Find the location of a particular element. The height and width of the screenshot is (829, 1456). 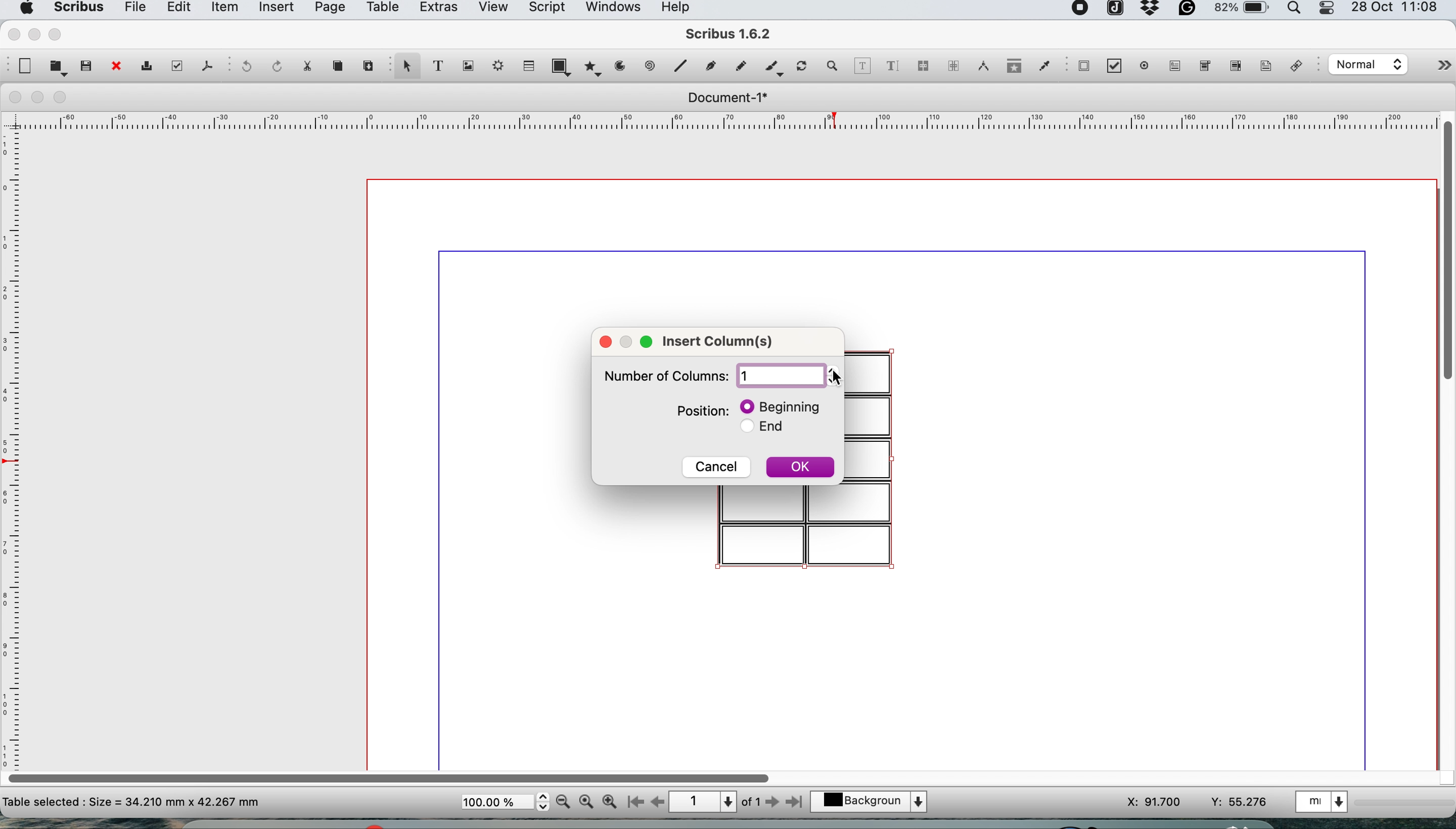

maximise is located at coordinates (64, 98).